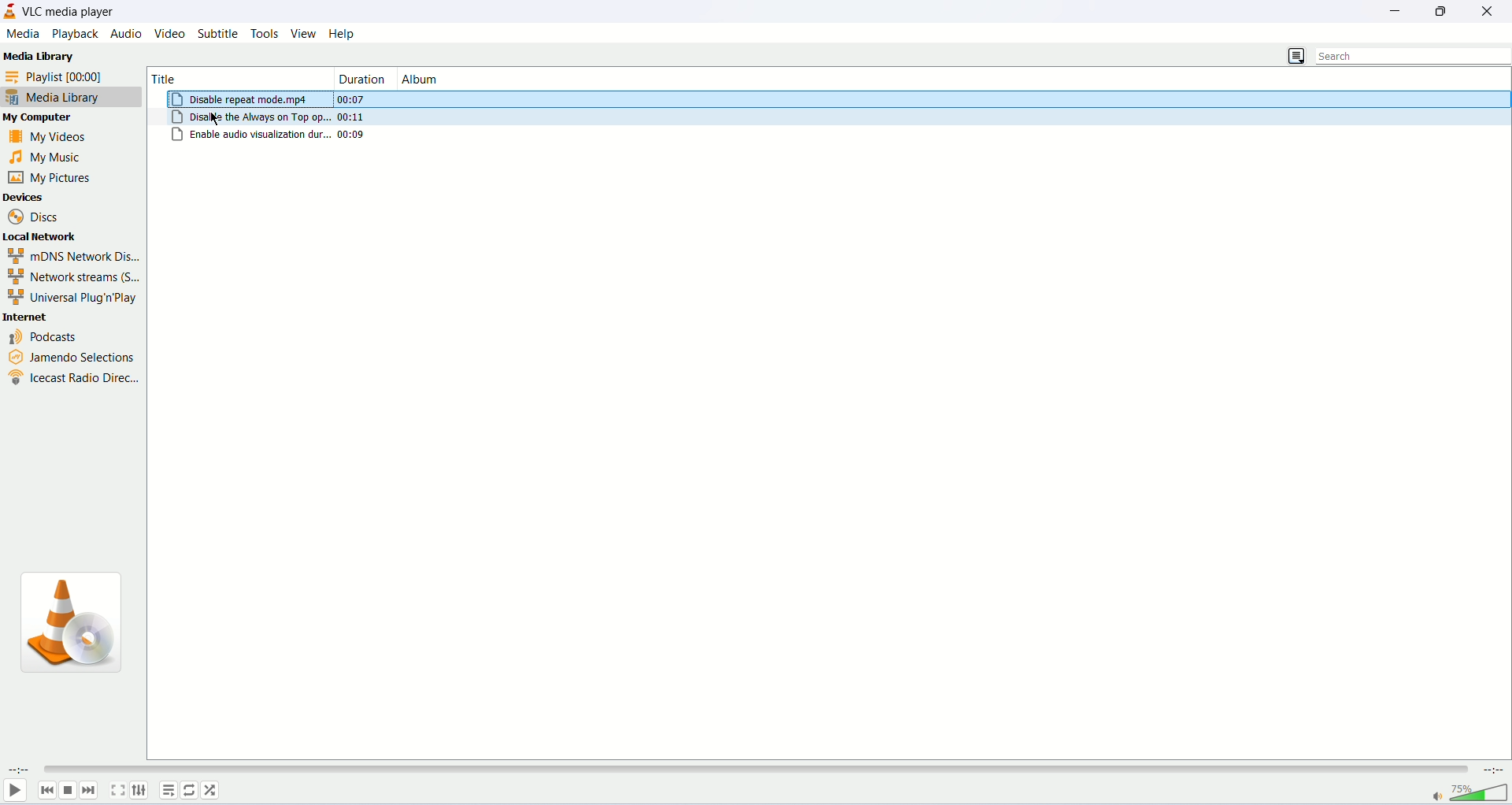 The width and height of the screenshot is (1512, 805). I want to click on close, so click(1492, 9).